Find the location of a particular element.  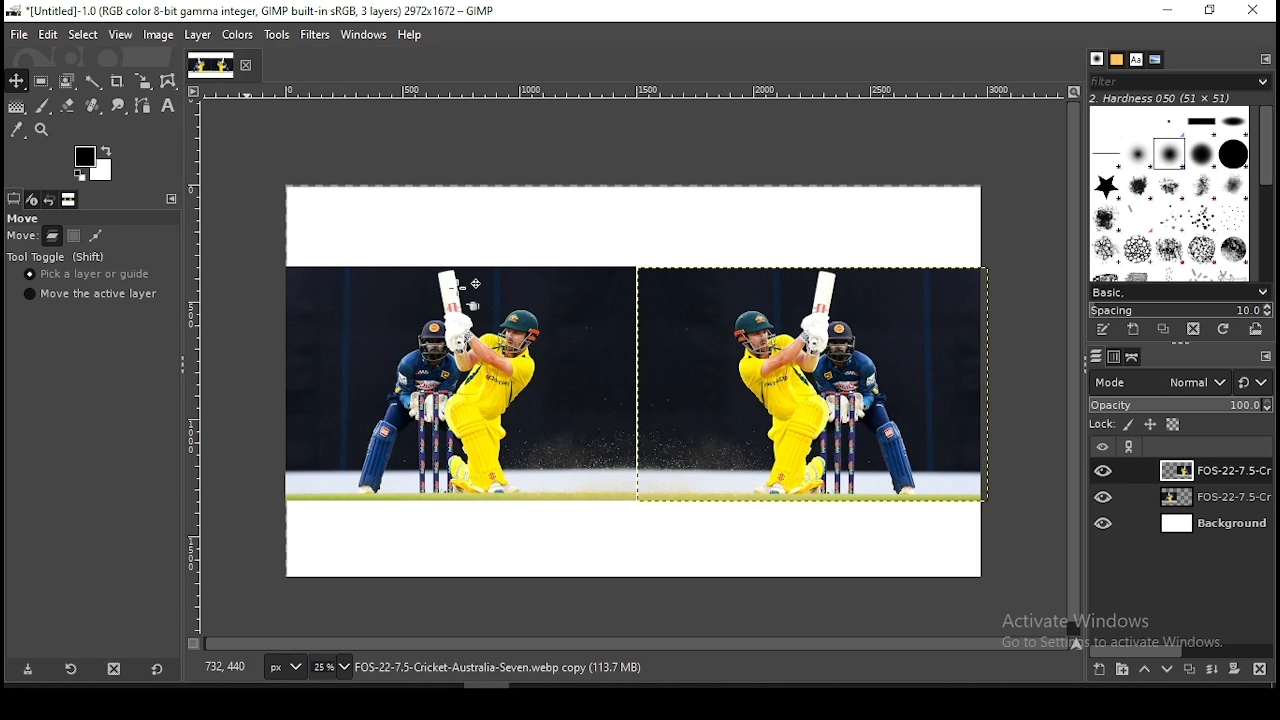

delete tool preset is located at coordinates (116, 668).